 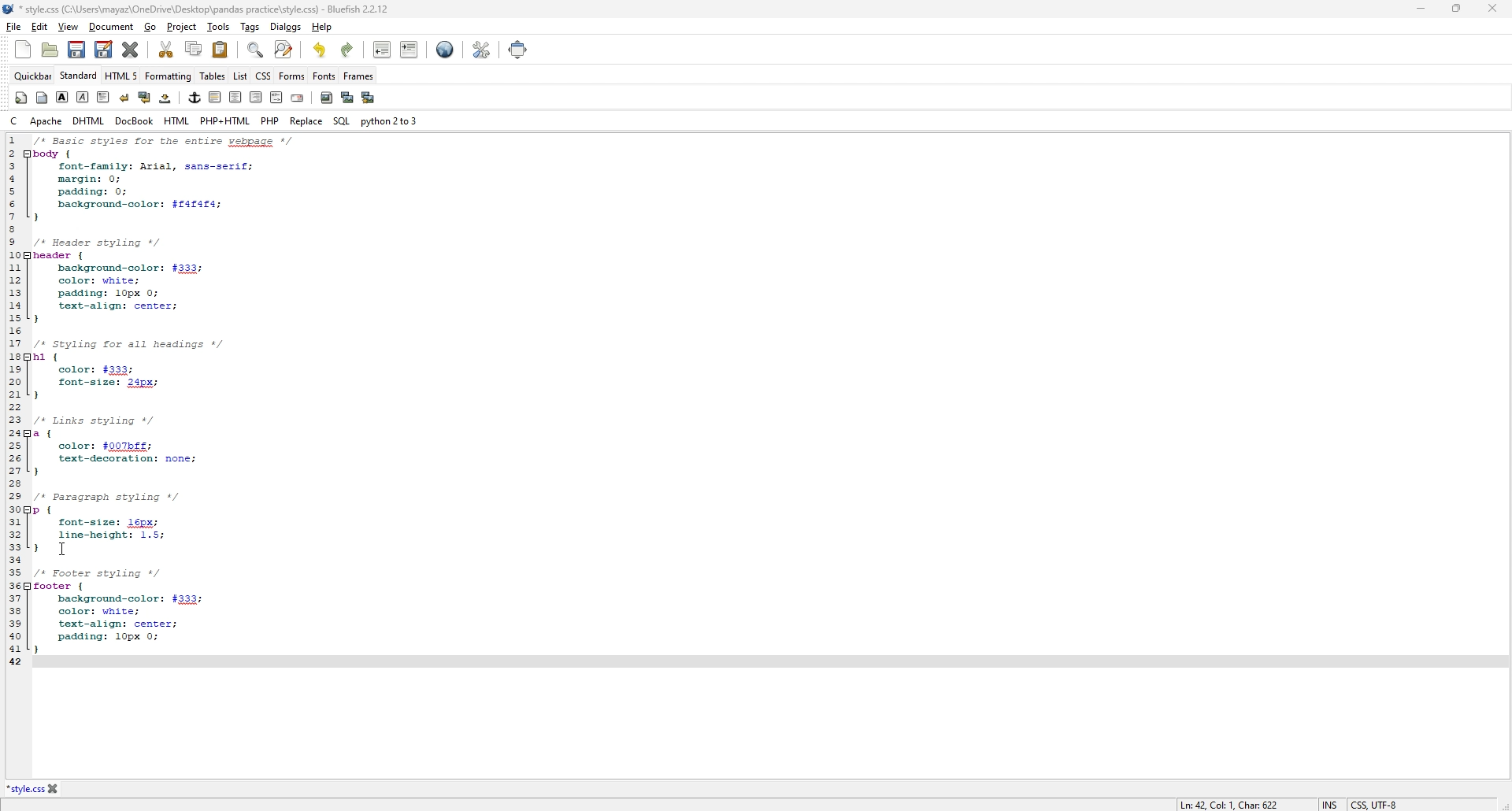 What do you see at coordinates (80, 76) in the screenshot?
I see `standard` at bounding box center [80, 76].